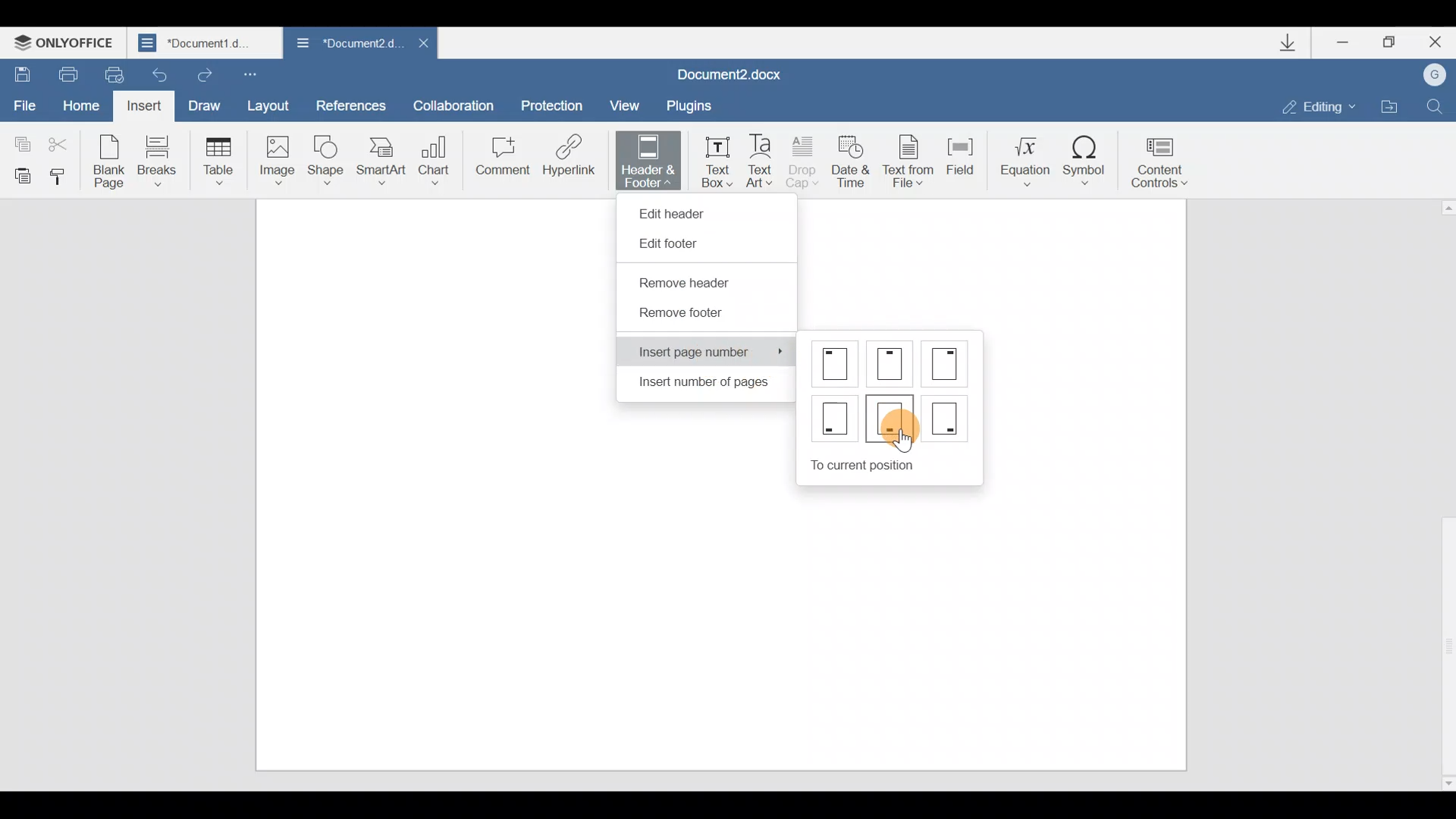 The image size is (1456, 819). I want to click on Symbol, so click(1090, 155).